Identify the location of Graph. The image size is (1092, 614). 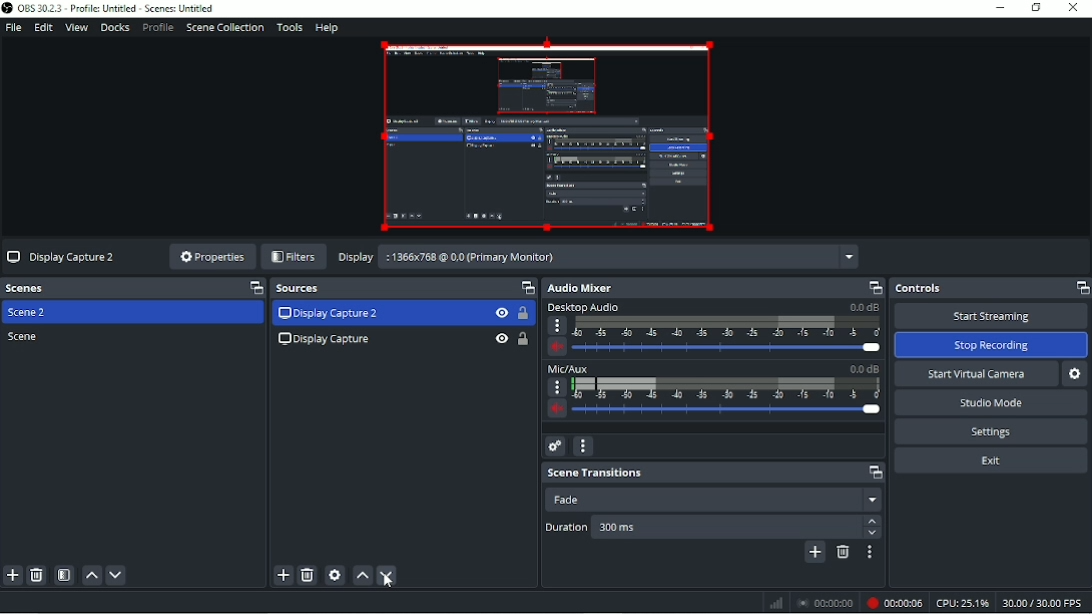
(773, 604).